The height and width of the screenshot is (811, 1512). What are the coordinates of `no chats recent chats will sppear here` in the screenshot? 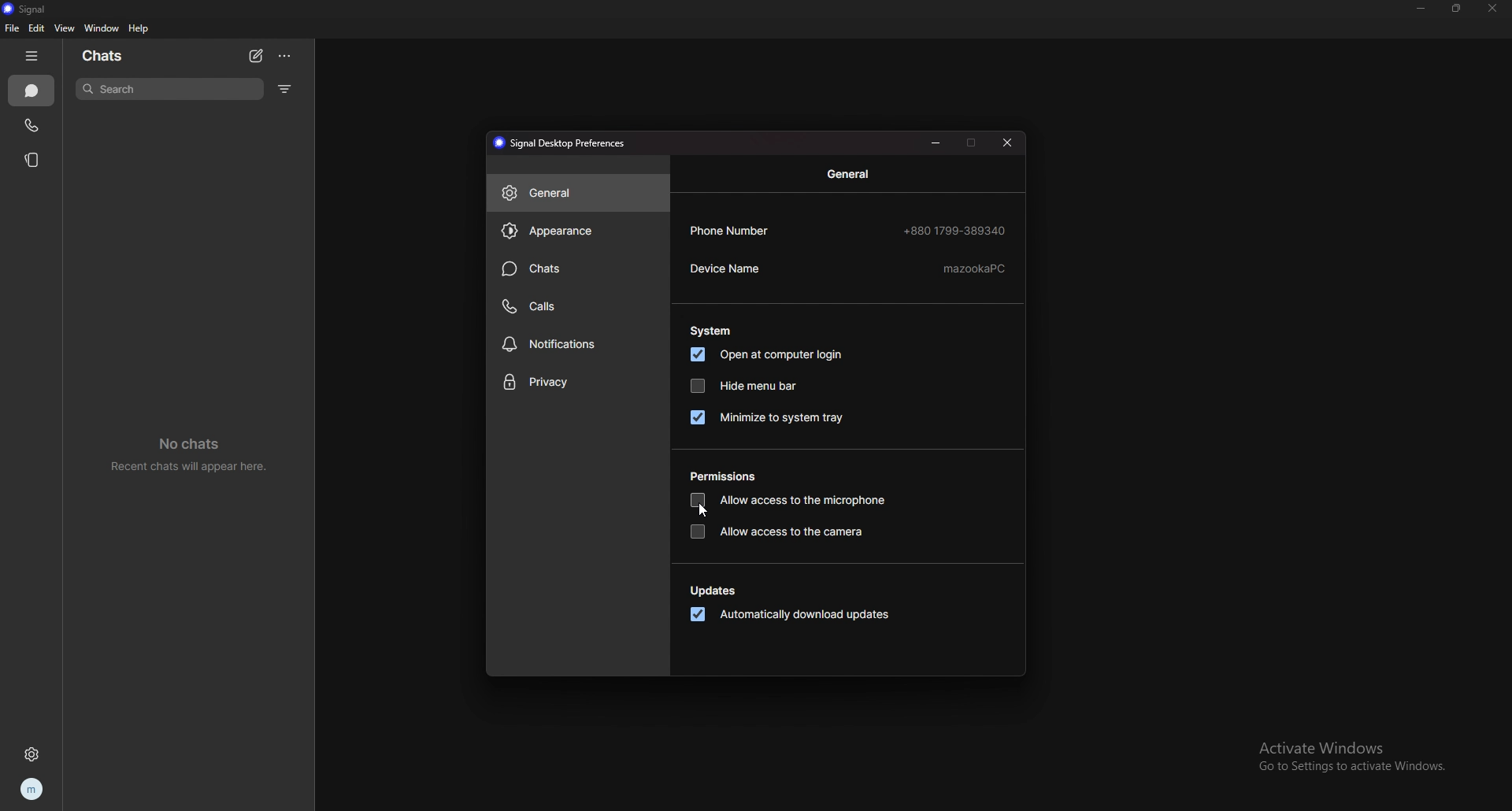 It's located at (187, 454).